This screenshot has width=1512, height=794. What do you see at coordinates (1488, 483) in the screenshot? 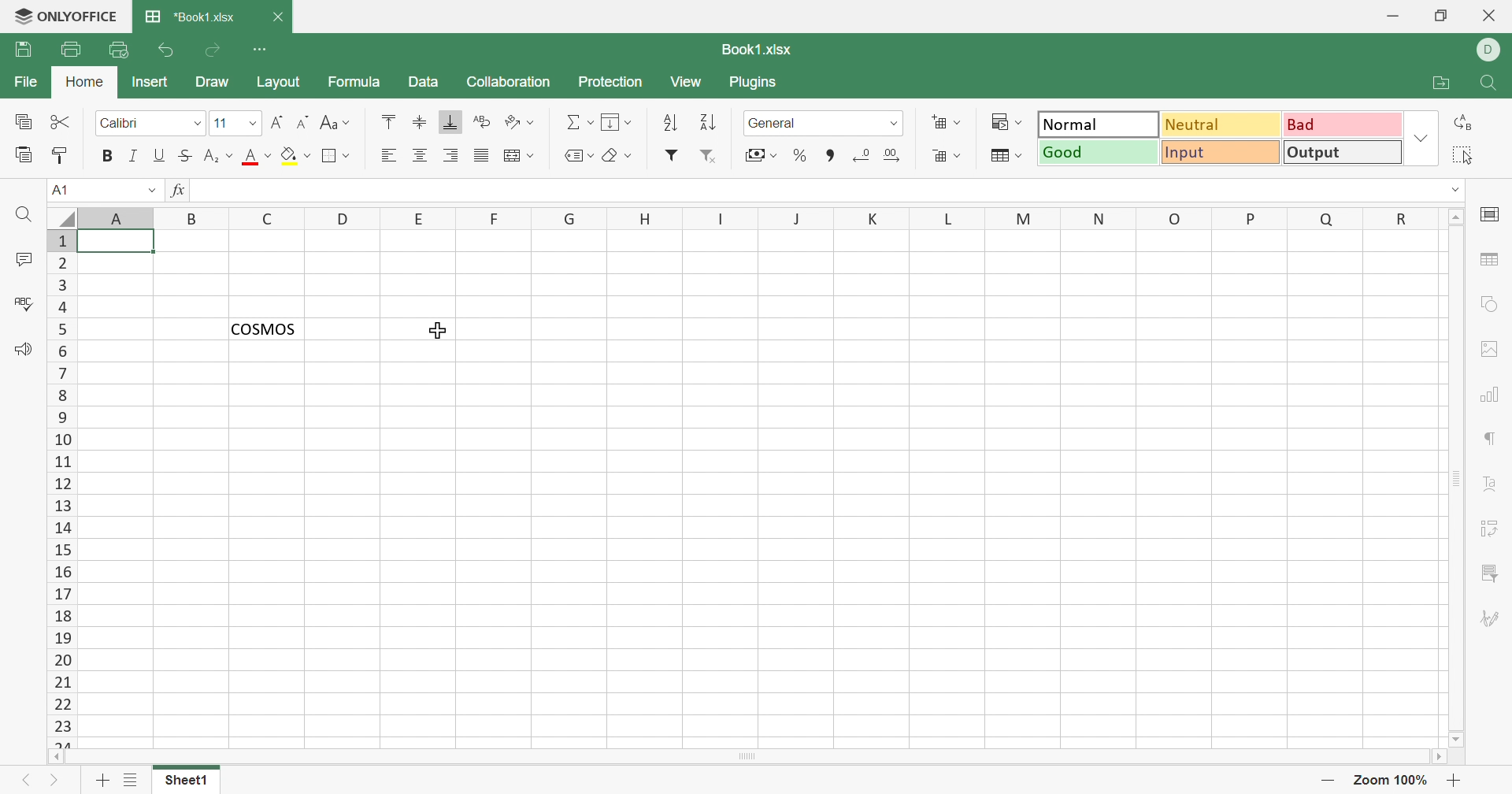
I see `Text art settings` at bounding box center [1488, 483].